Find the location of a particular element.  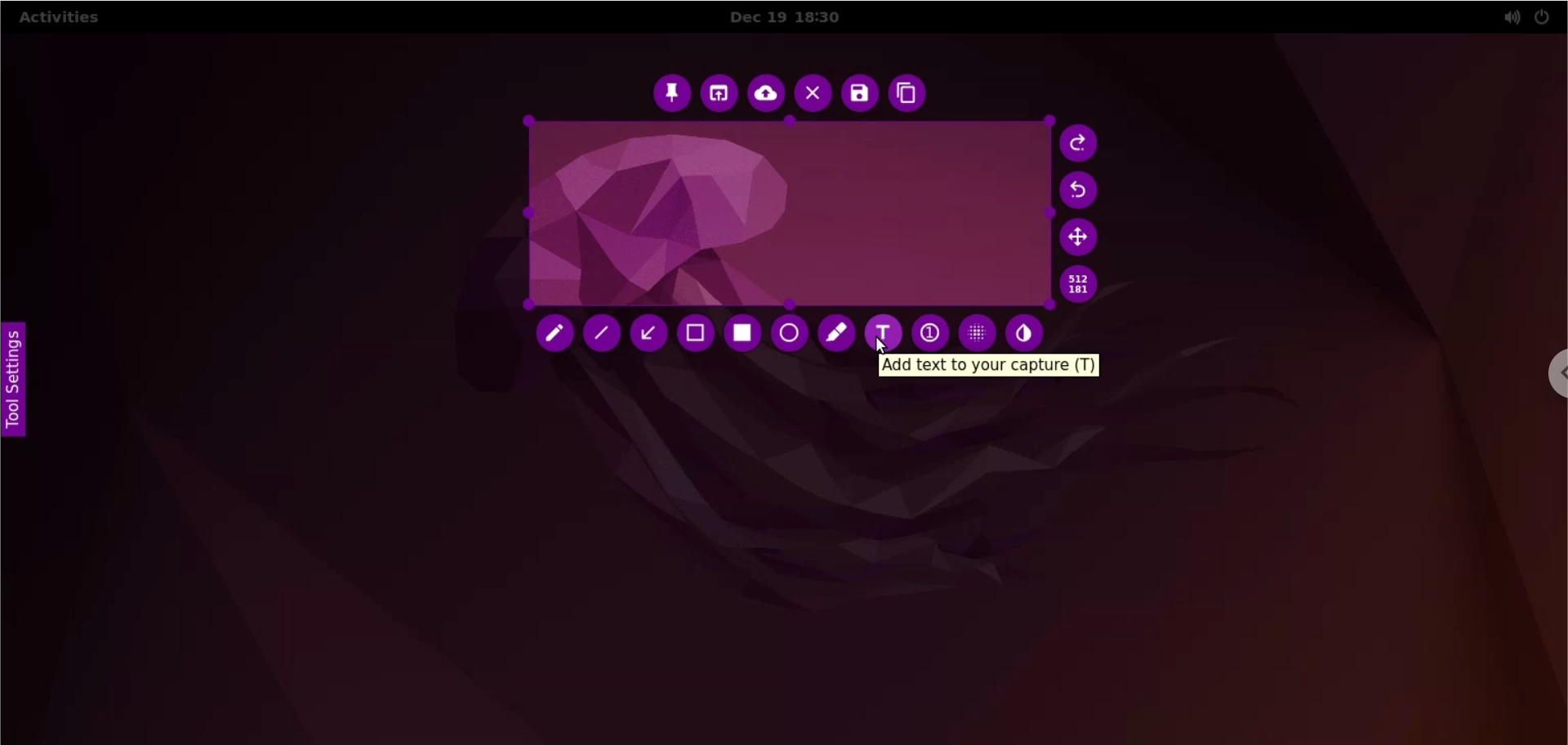

pencil tool is located at coordinates (555, 336).